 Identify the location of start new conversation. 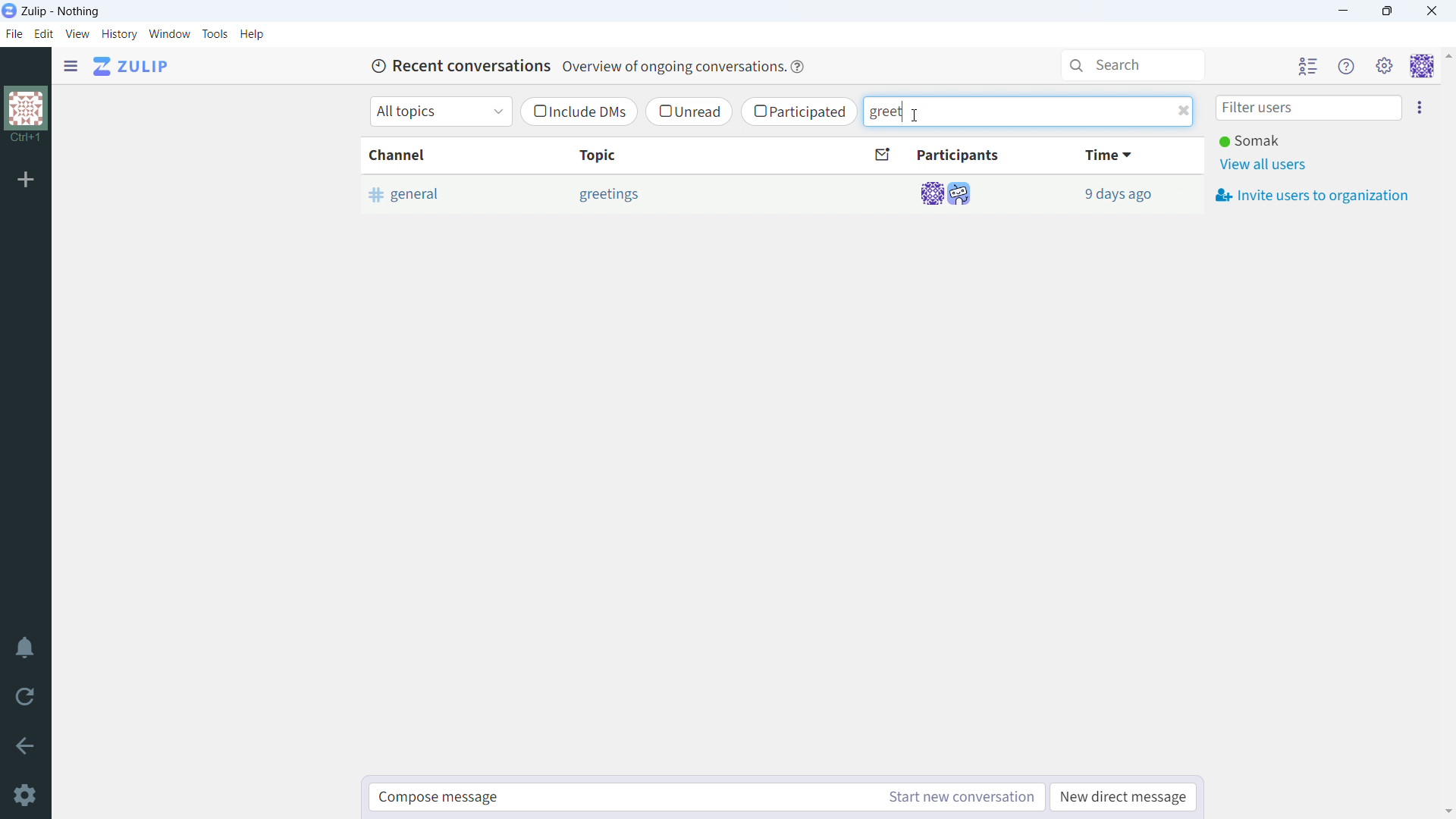
(958, 798).